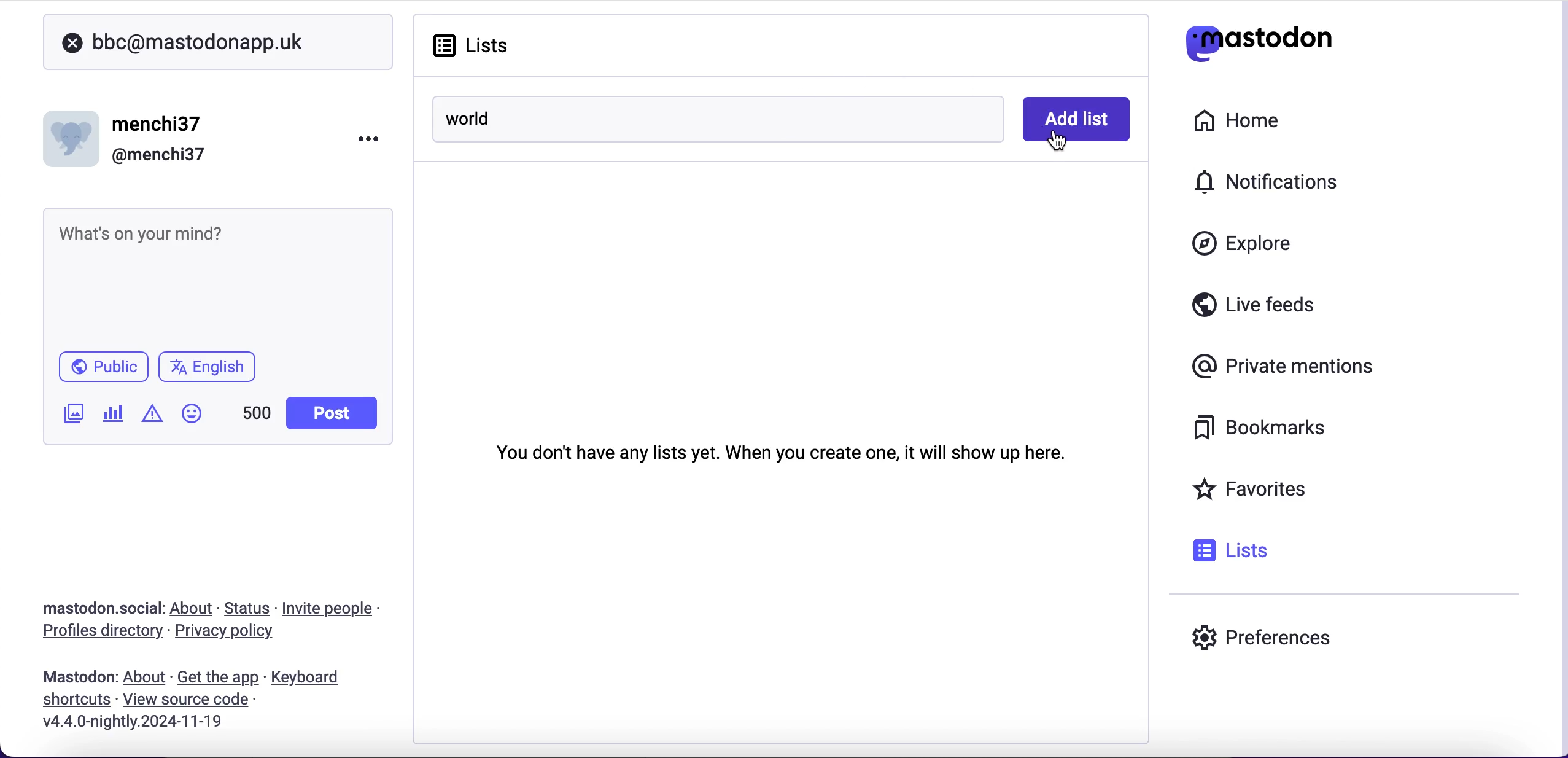 The image size is (1568, 758). Describe the element at coordinates (217, 276) in the screenshot. I see `post what's n your mind` at that location.